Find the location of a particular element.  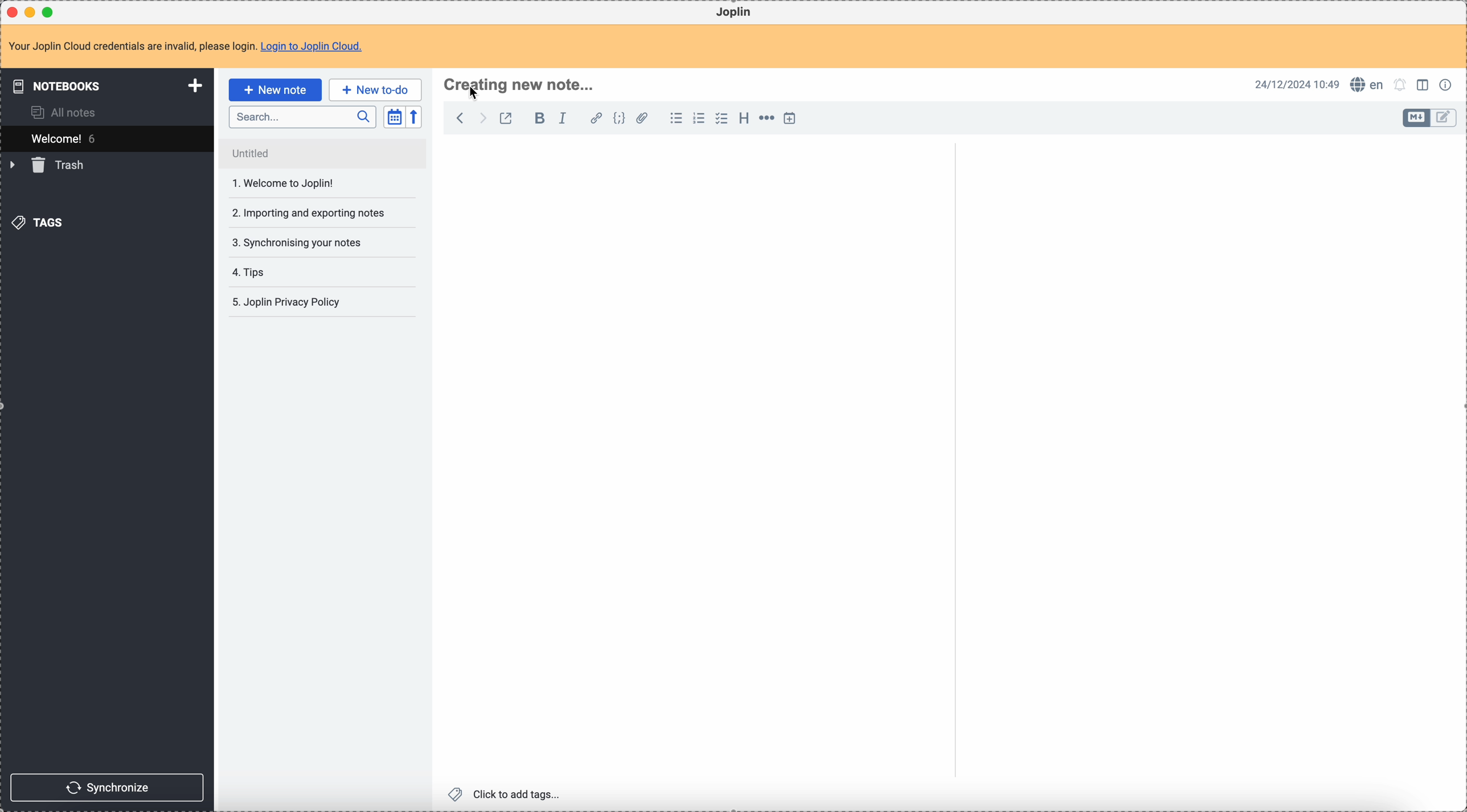

insert time is located at coordinates (793, 118).